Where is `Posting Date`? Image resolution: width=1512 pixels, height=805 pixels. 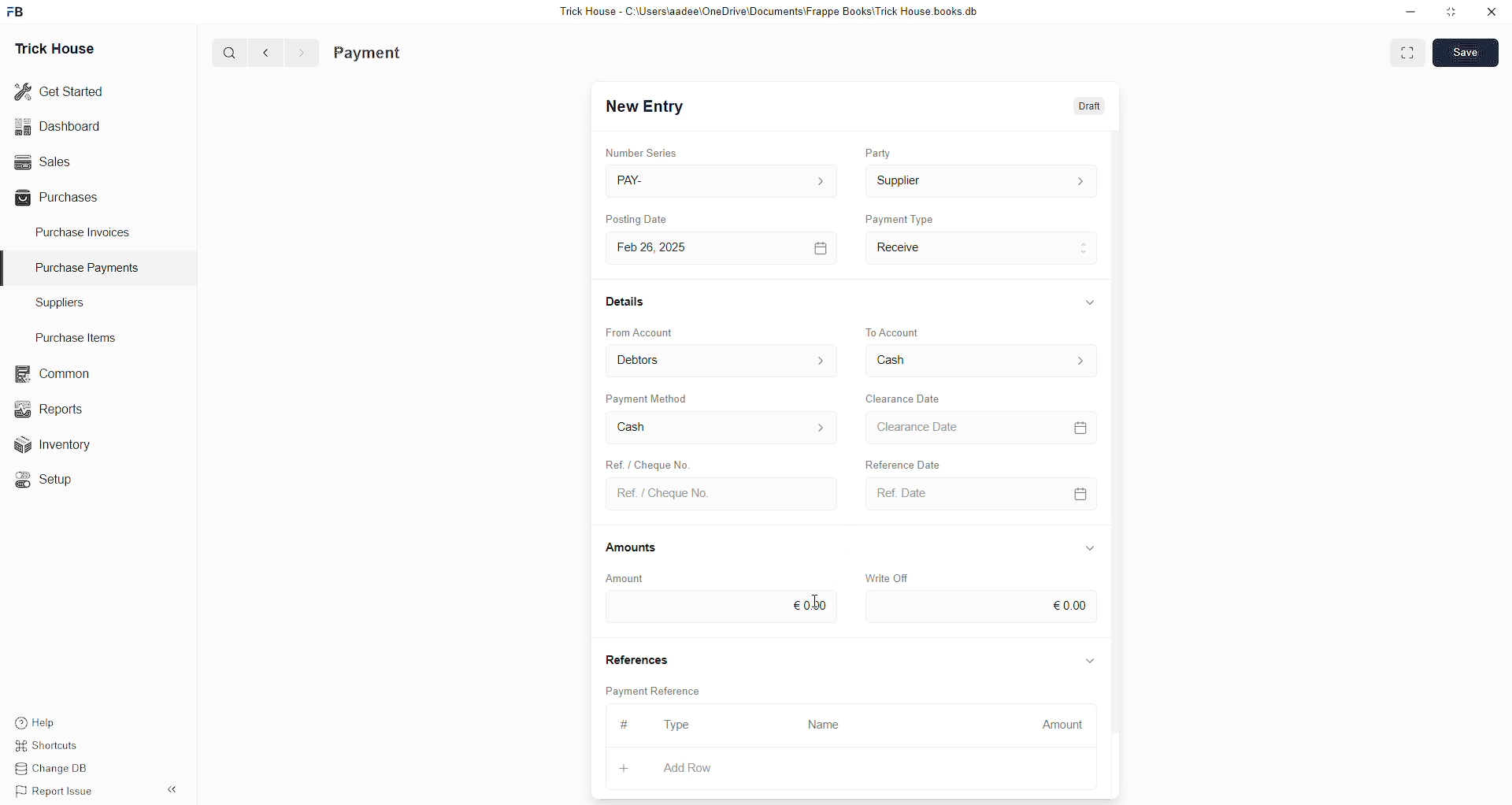
Posting Date is located at coordinates (648, 217).